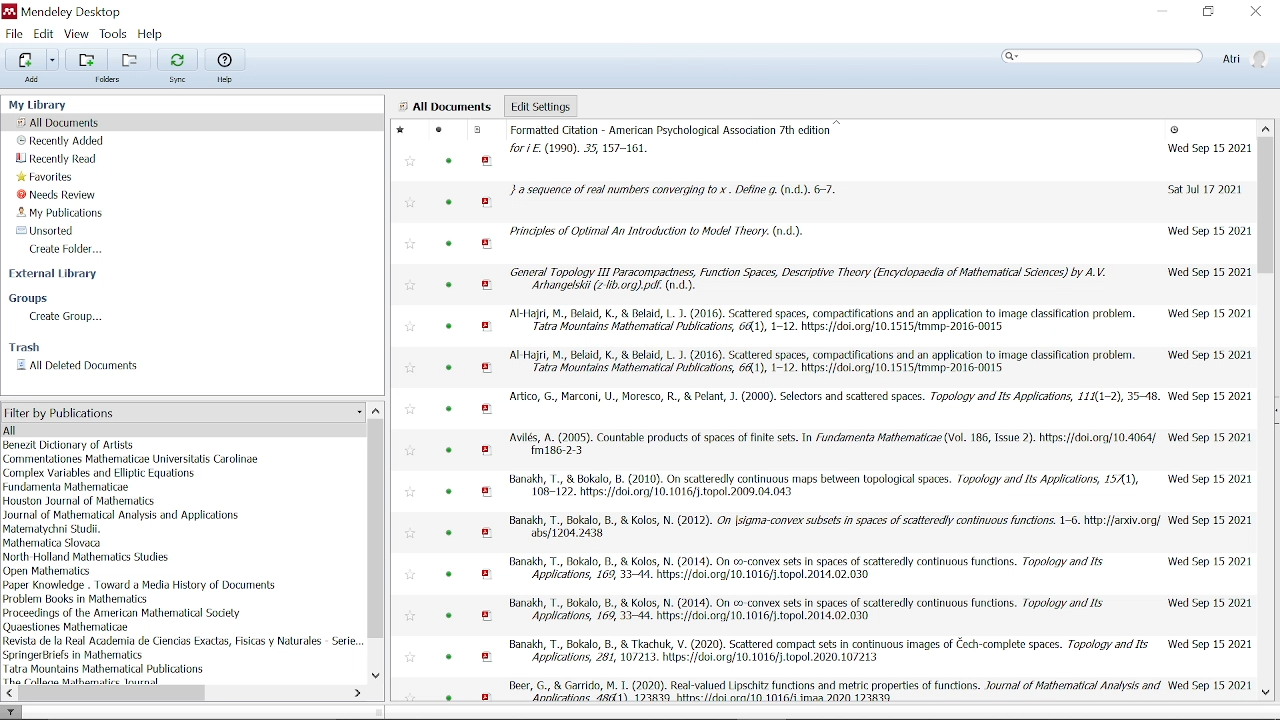 The image size is (1280, 720). What do you see at coordinates (489, 410) in the screenshot?
I see `pdf` at bounding box center [489, 410].